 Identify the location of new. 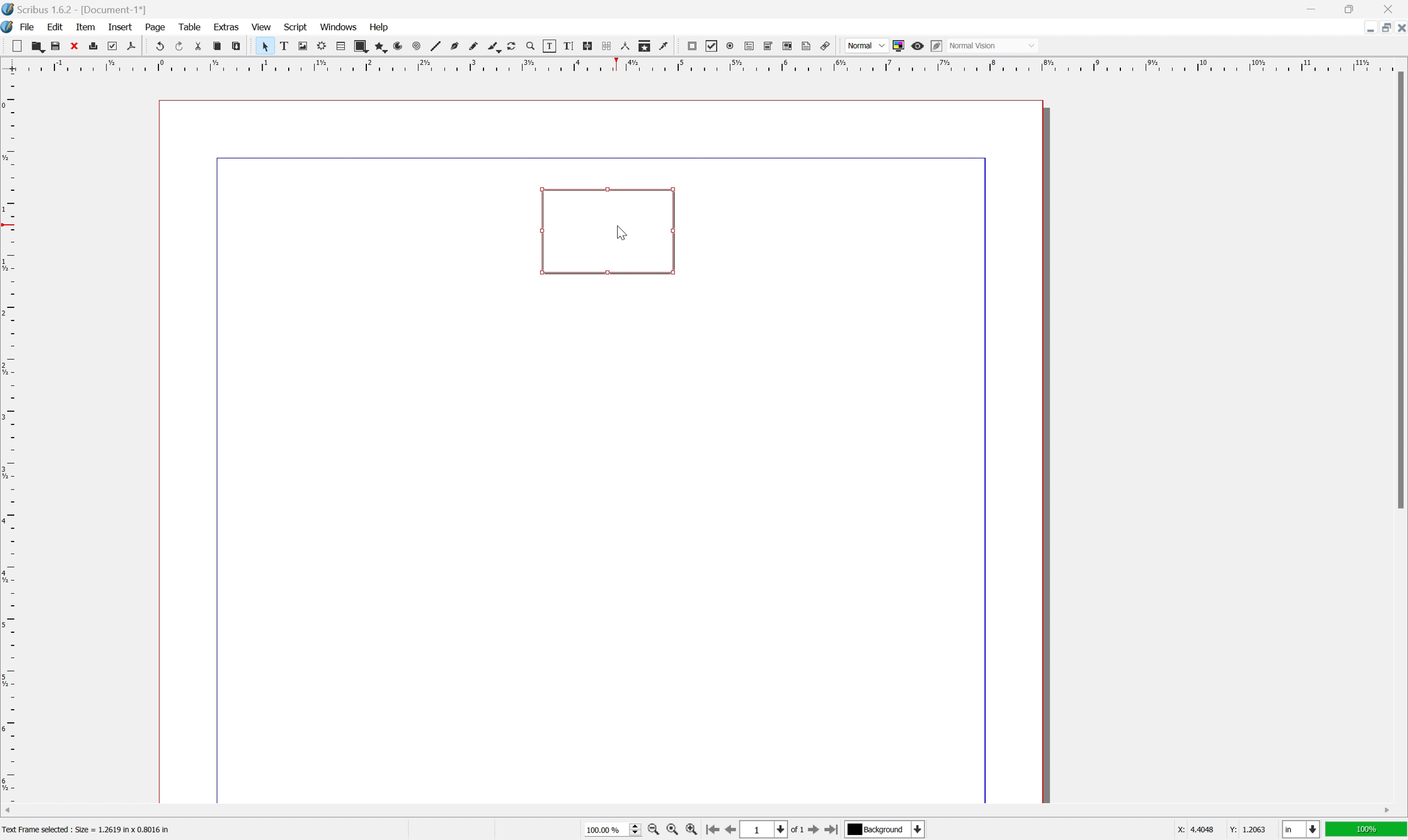
(17, 46).